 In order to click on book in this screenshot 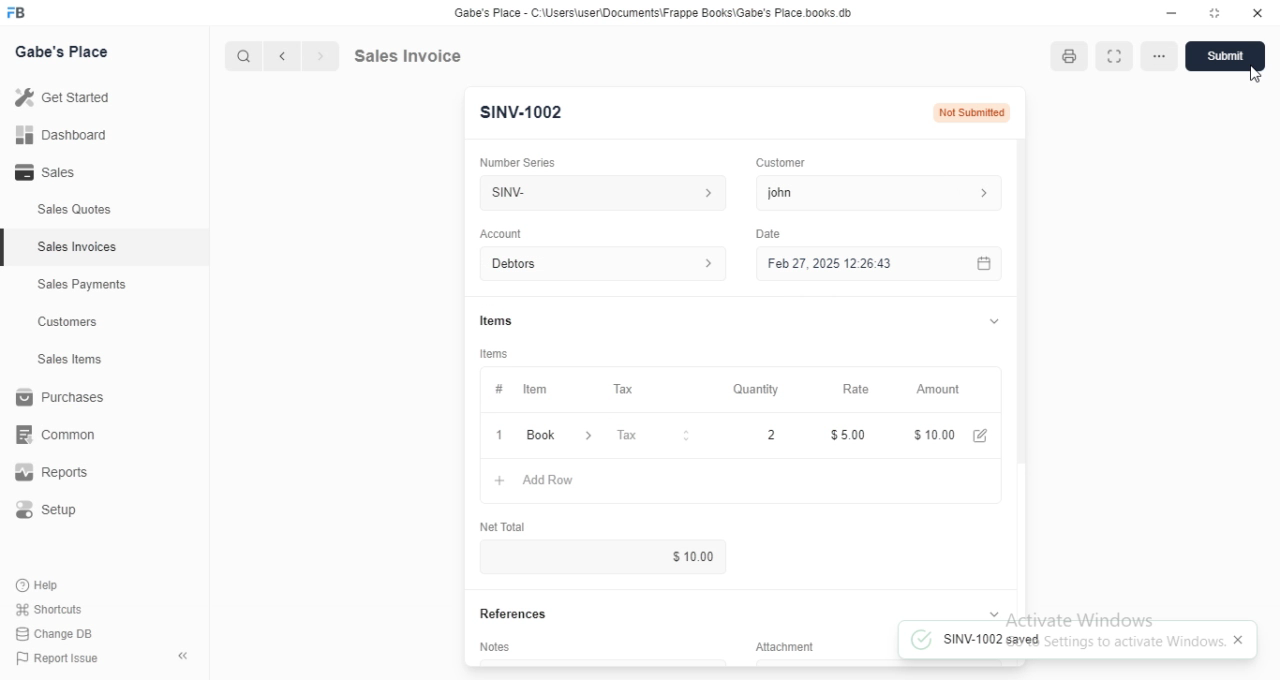, I will do `click(561, 436)`.